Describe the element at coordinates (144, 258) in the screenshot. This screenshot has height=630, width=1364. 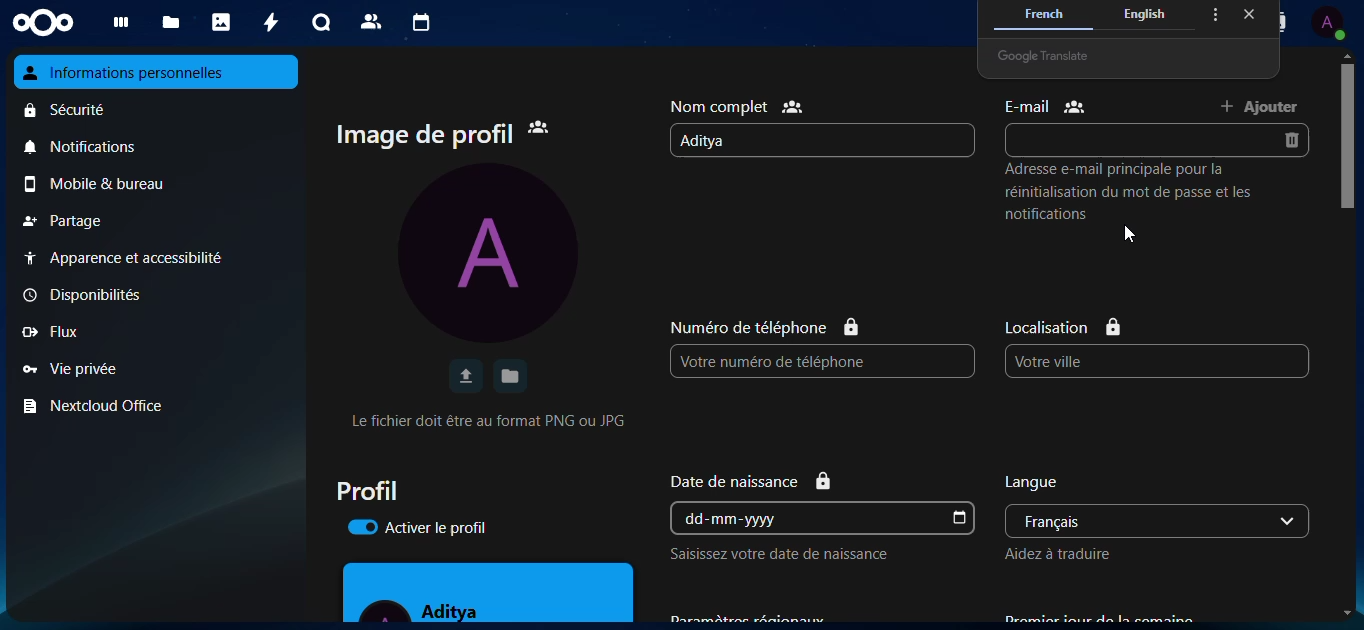
I see `appearance et accessibilite` at that location.